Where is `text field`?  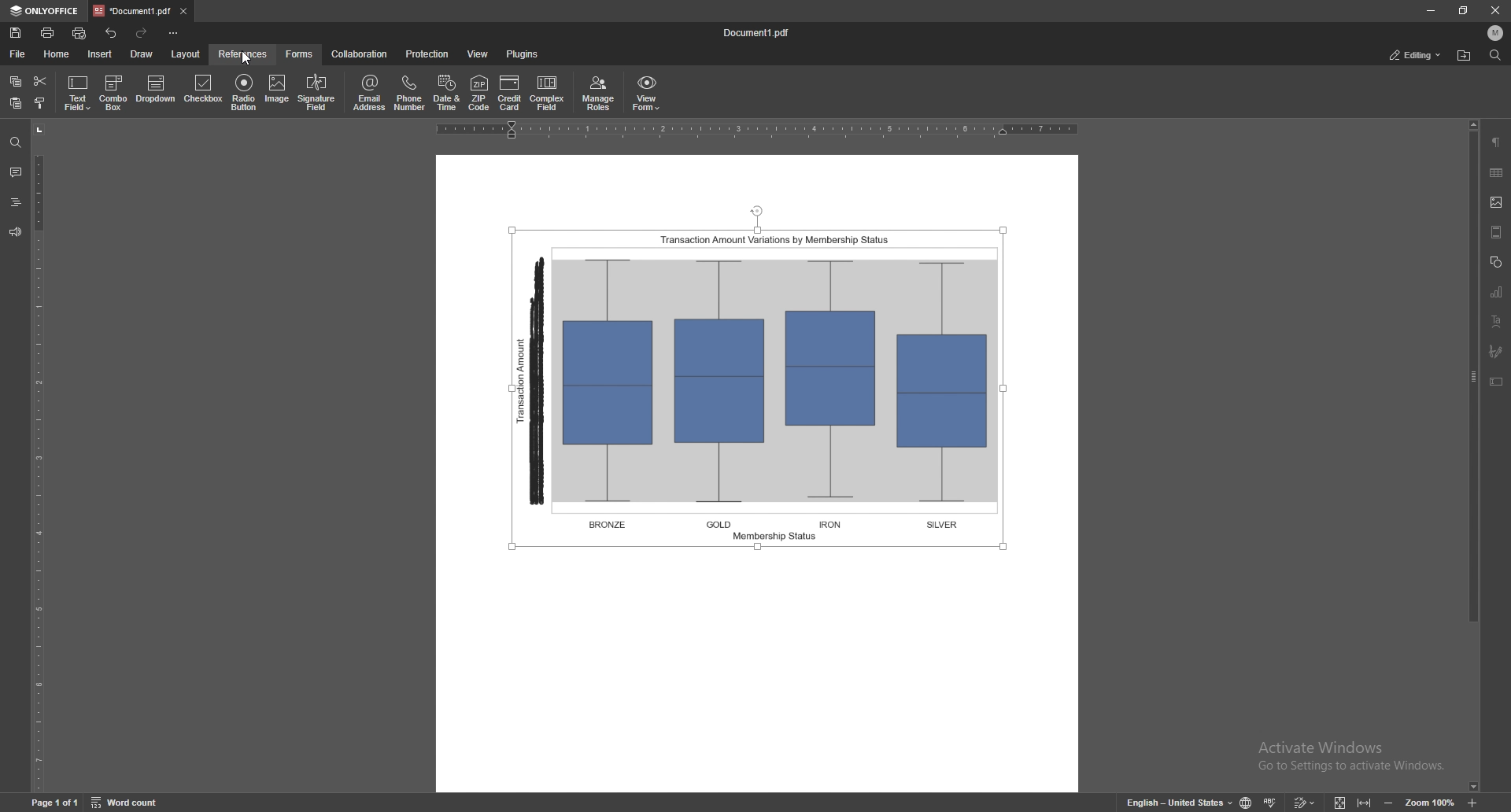
text field is located at coordinates (79, 93).